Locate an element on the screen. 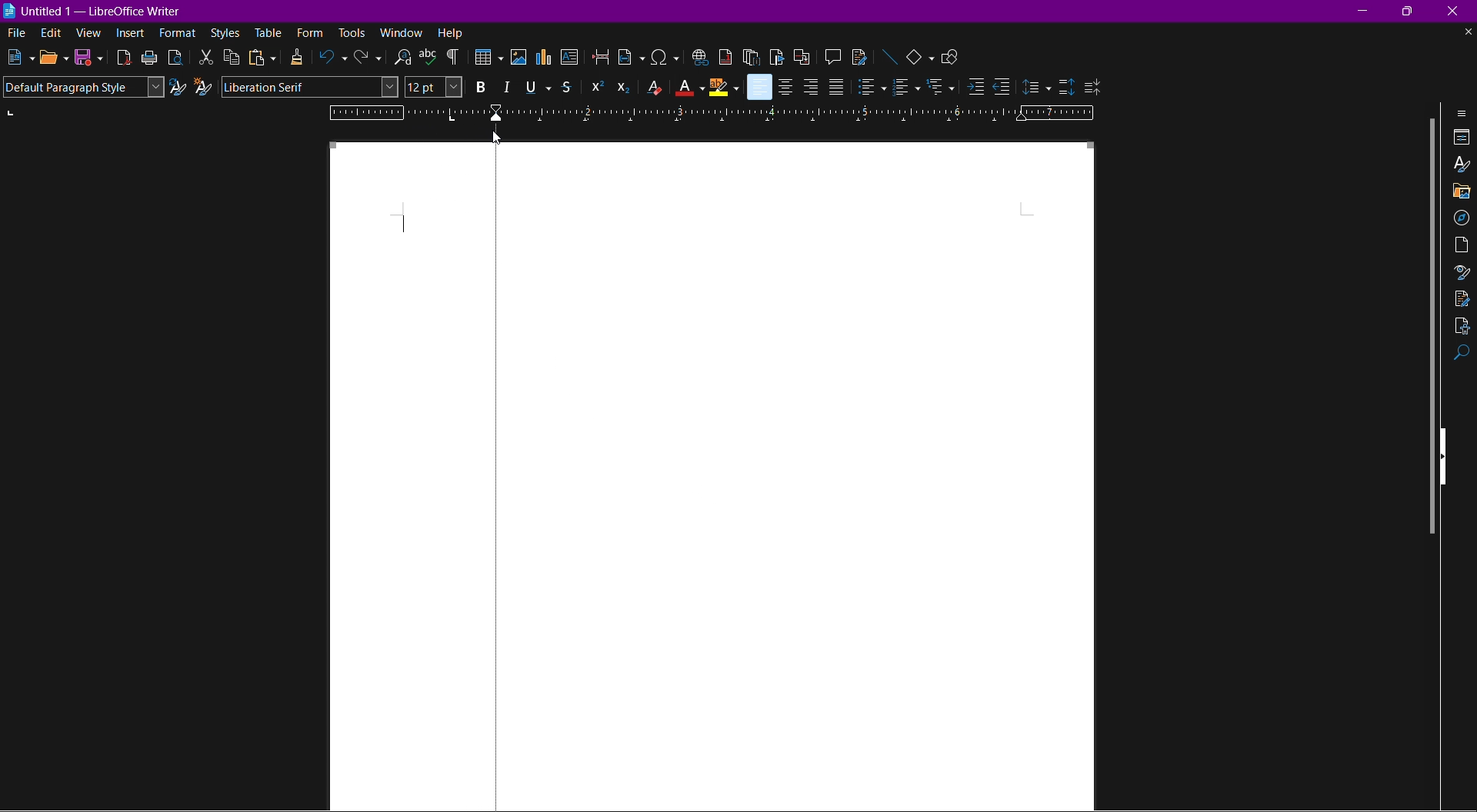 This screenshot has height=812, width=1477. Paste is located at coordinates (261, 58).